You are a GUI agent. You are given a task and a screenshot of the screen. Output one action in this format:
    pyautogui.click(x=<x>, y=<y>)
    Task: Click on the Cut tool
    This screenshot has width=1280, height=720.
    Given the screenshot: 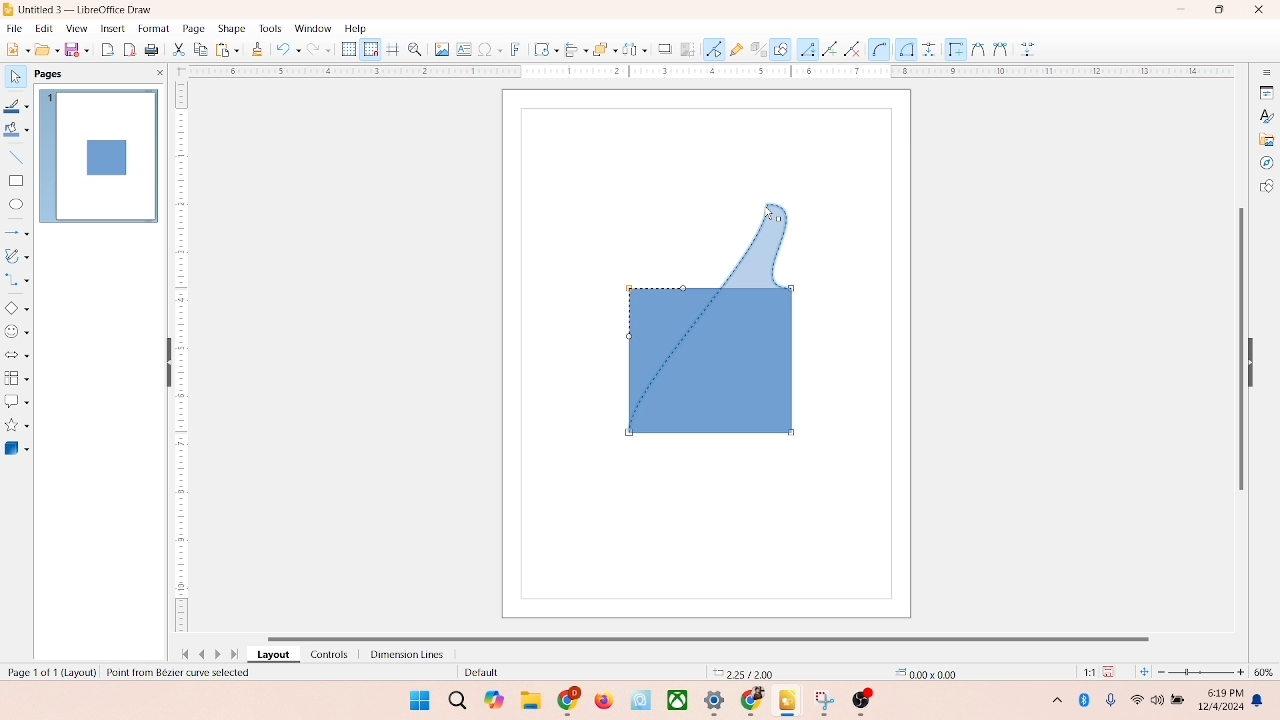 What is the action you would take?
    pyautogui.click(x=973, y=48)
    